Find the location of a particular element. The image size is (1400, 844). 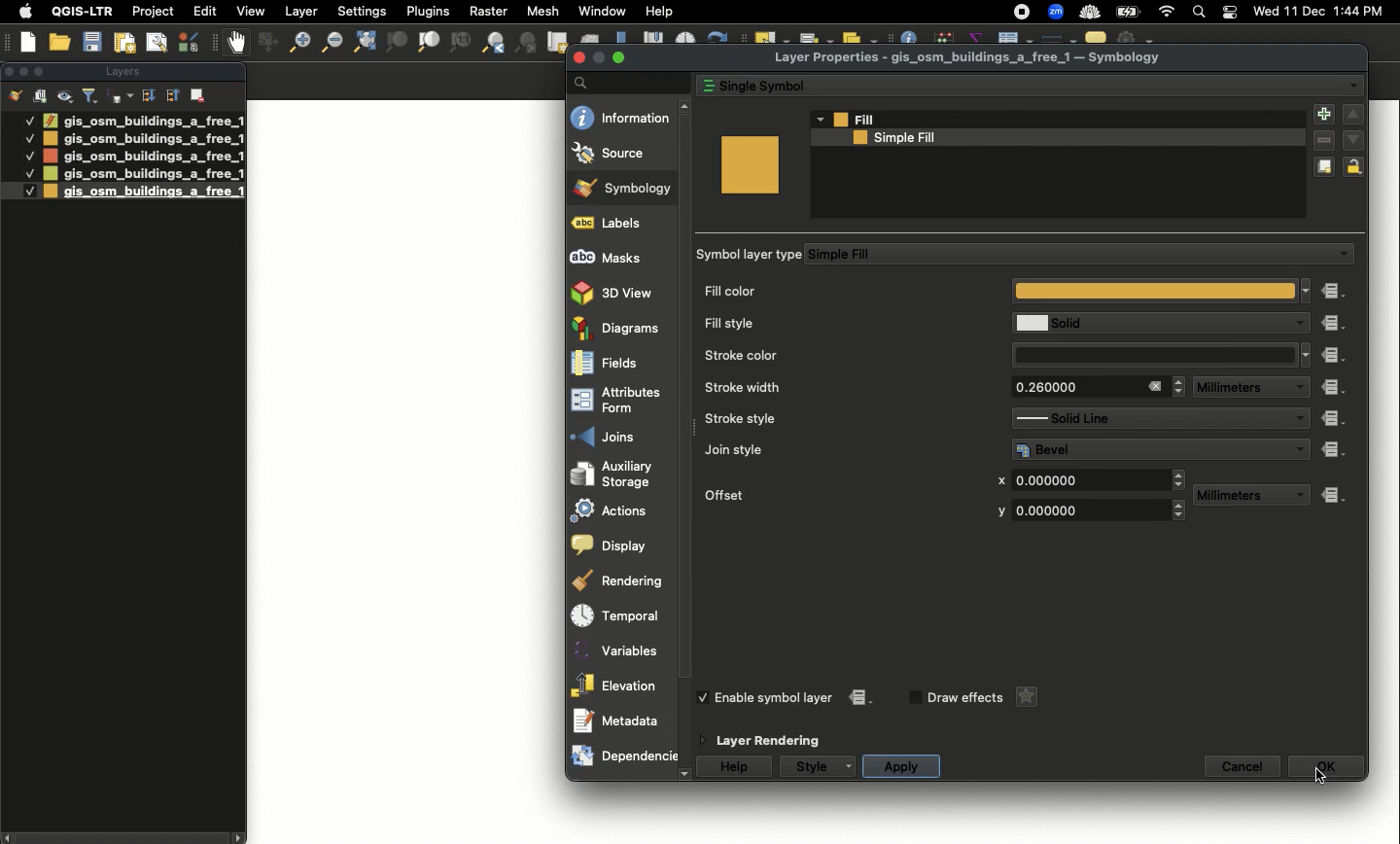

Auxiliary storage is located at coordinates (623, 474).